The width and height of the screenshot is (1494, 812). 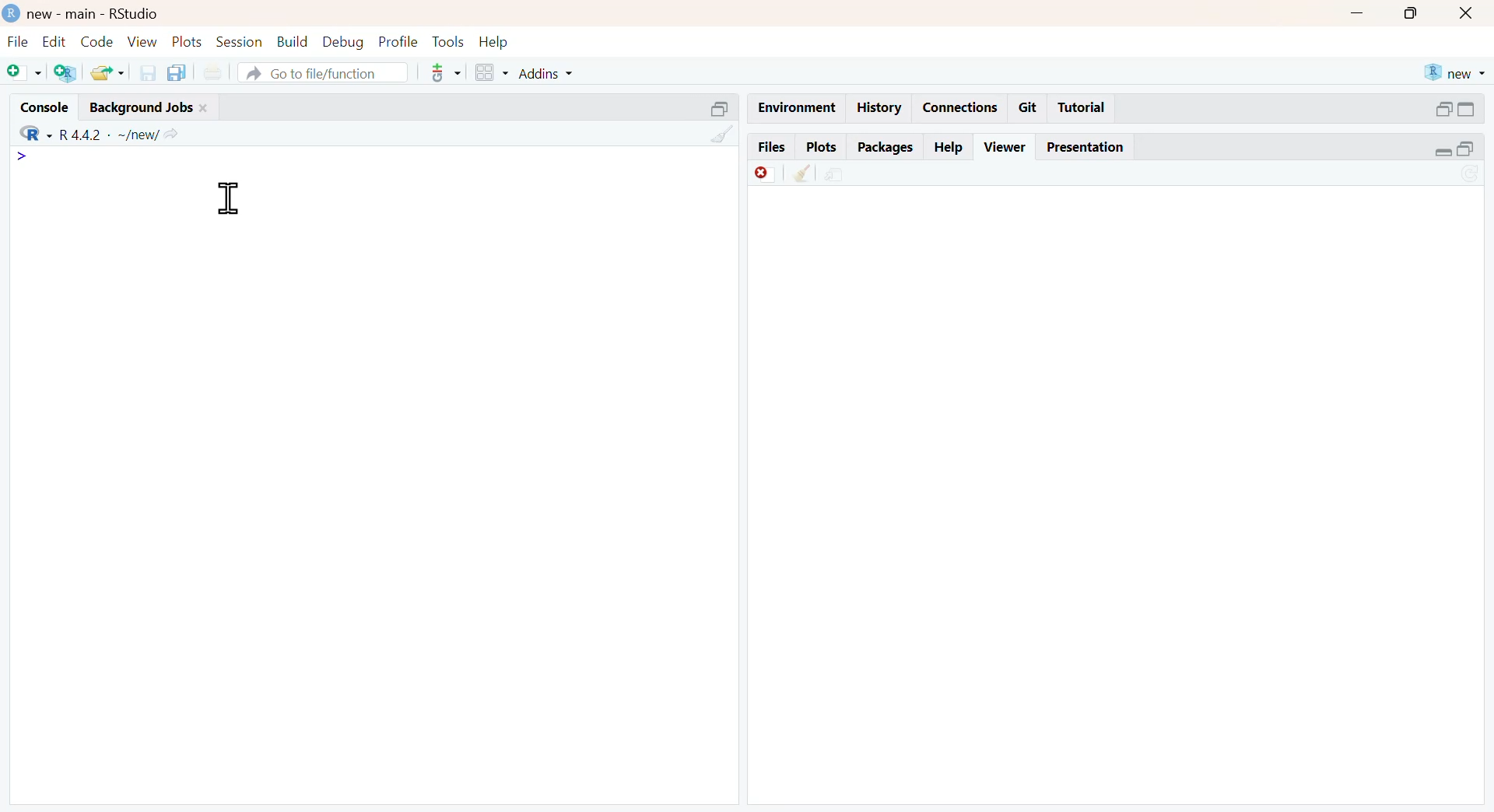 What do you see at coordinates (835, 175) in the screenshot?
I see `share` at bounding box center [835, 175].